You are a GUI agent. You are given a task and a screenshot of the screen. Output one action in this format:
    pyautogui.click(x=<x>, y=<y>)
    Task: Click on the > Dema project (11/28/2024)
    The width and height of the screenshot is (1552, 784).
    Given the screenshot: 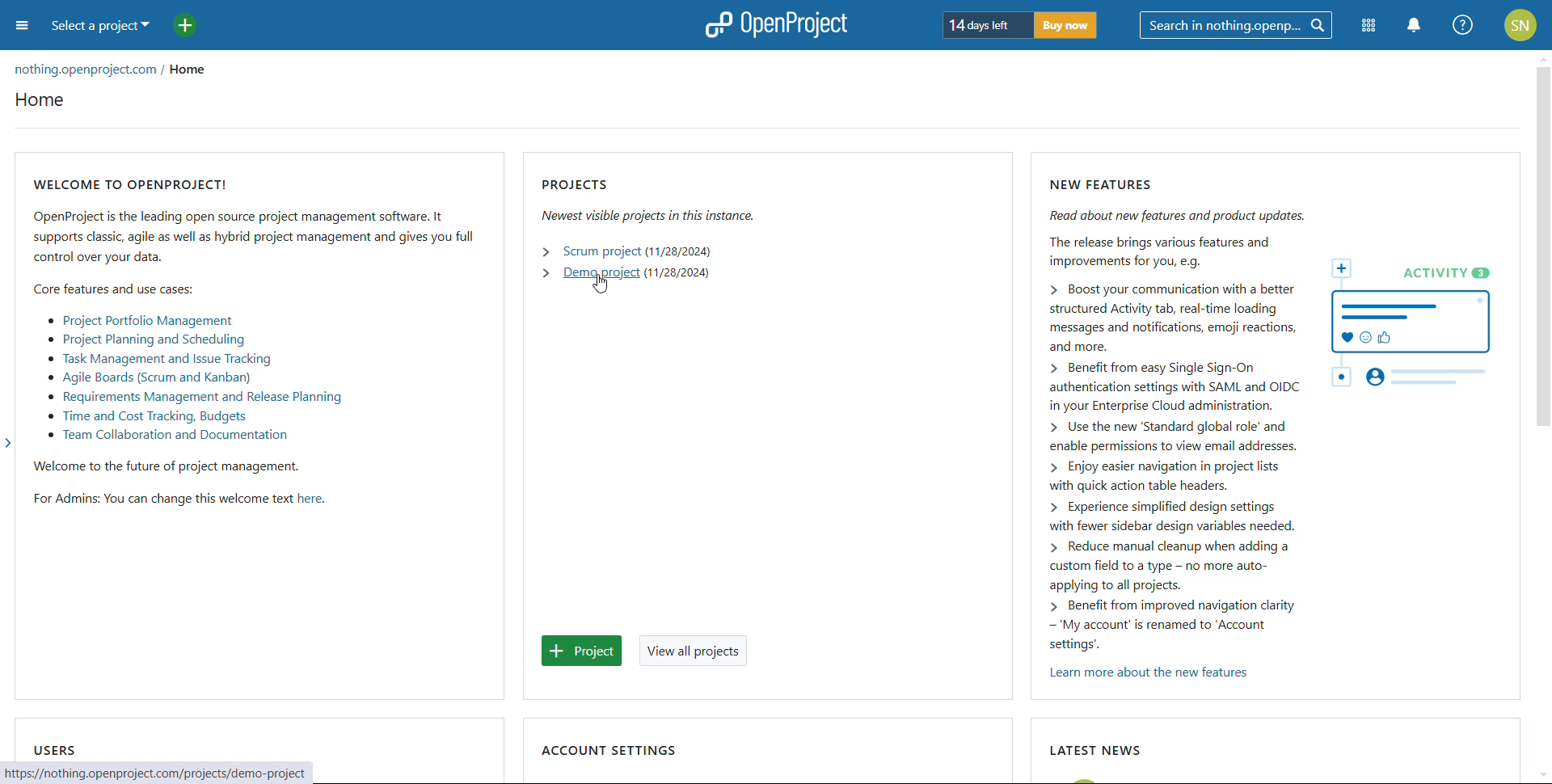 What is the action you would take?
    pyautogui.click(x=618, y=272)
    